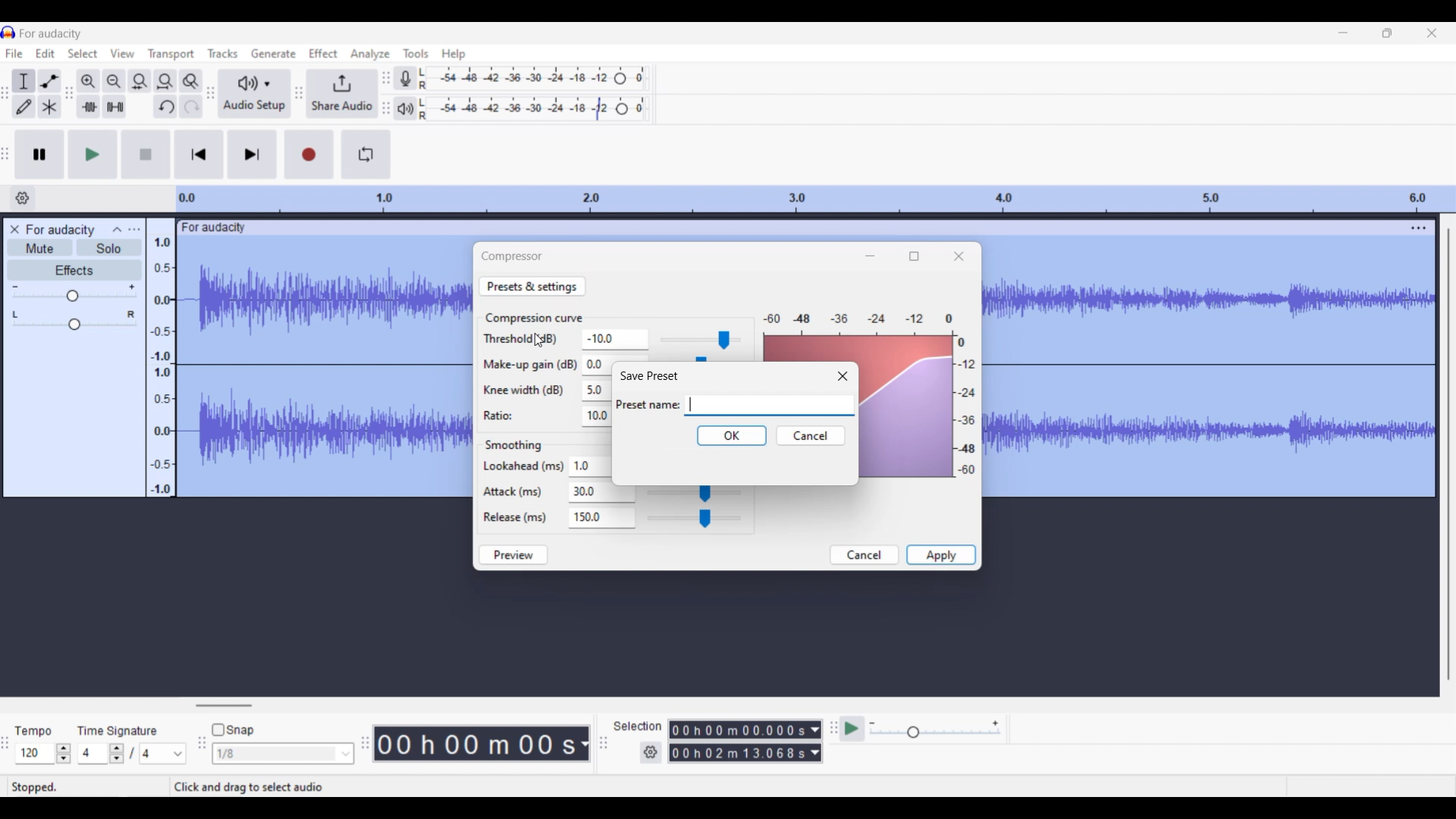 The height and width of the screenshot is (819, 1456). I want to click on Project name, so click(61, 230).